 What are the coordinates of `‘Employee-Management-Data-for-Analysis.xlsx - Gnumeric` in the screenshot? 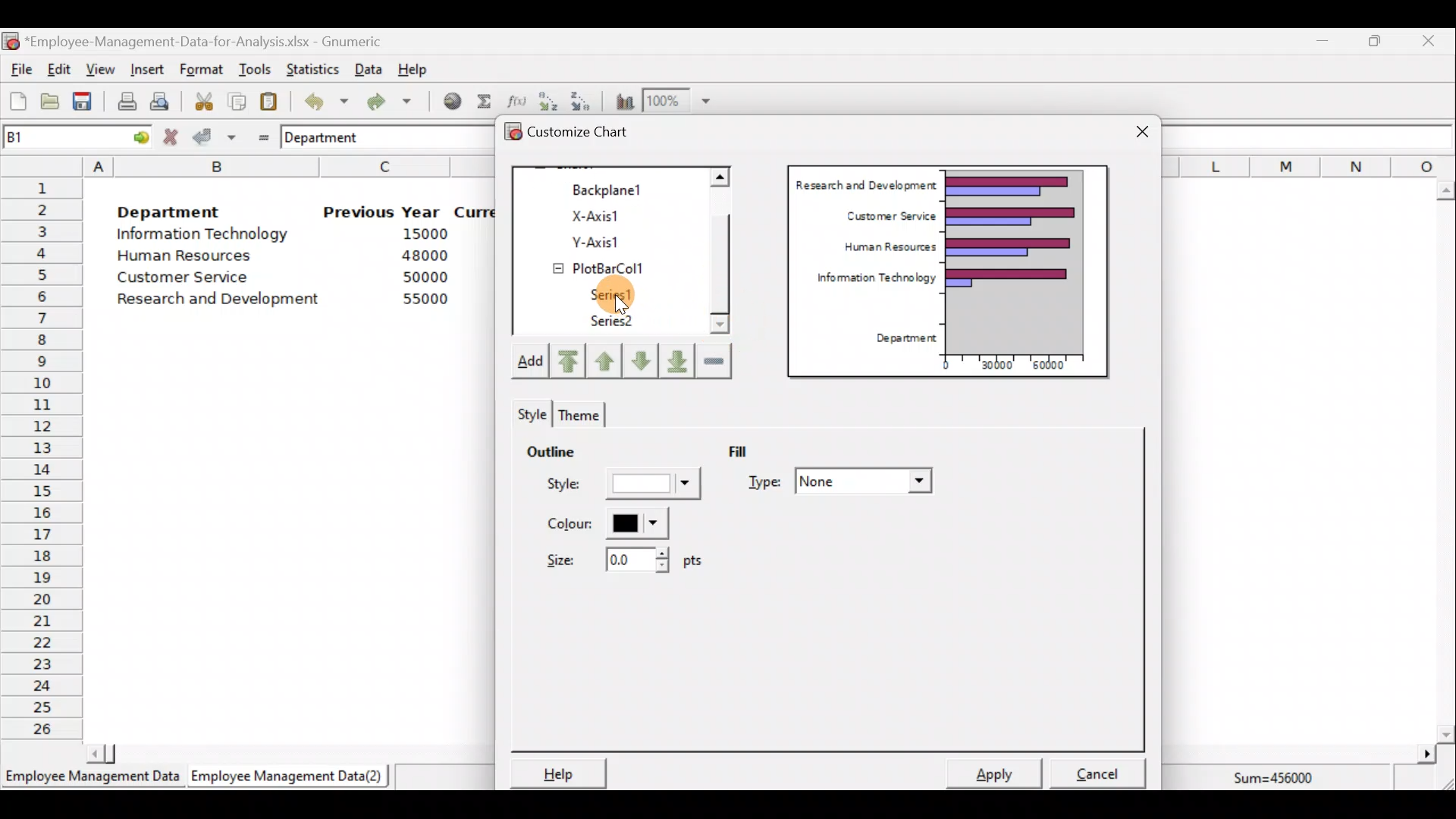 It's located at (208, 40).